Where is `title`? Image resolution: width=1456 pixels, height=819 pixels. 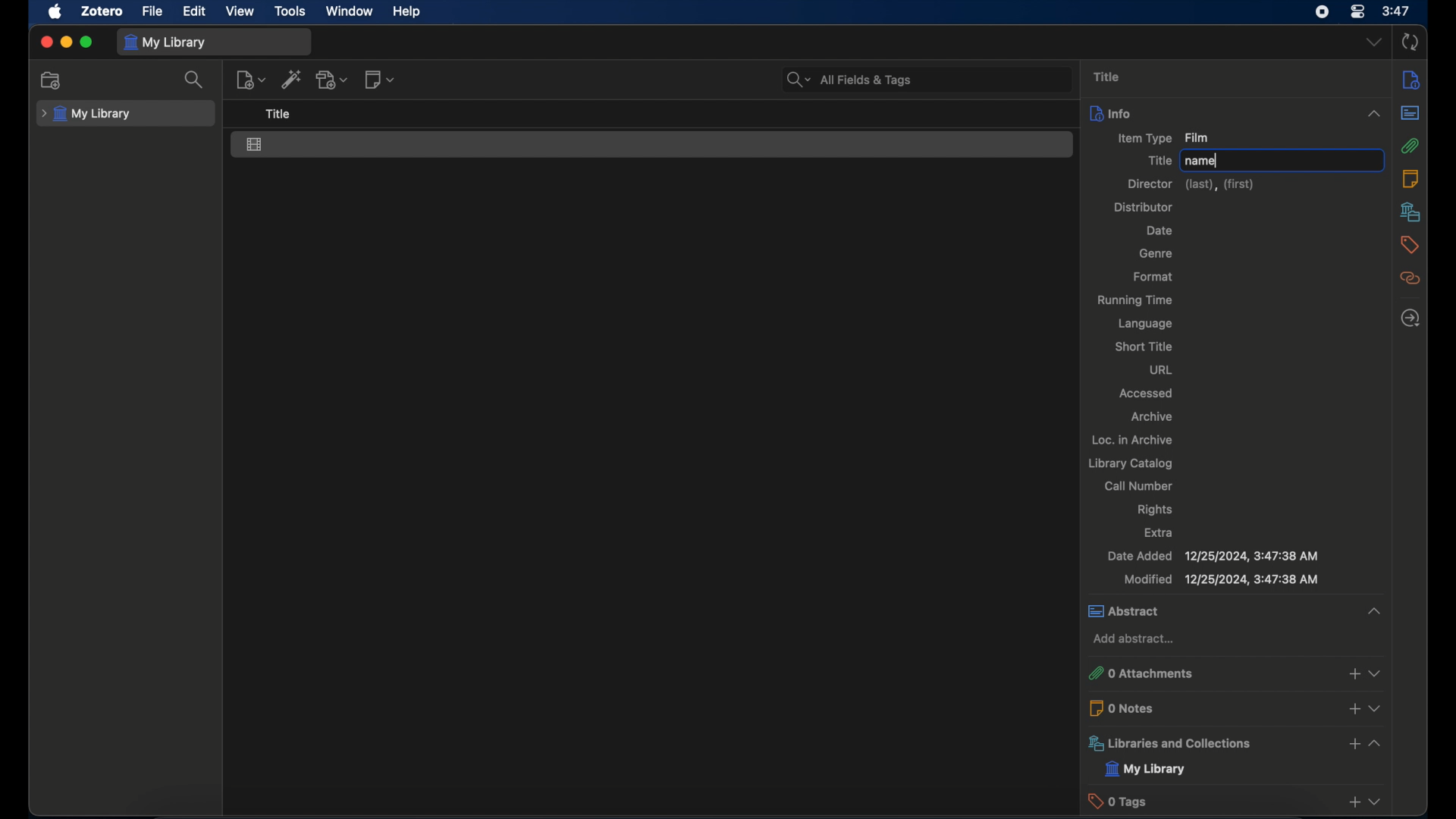 title is located at coordinates (278, 115).